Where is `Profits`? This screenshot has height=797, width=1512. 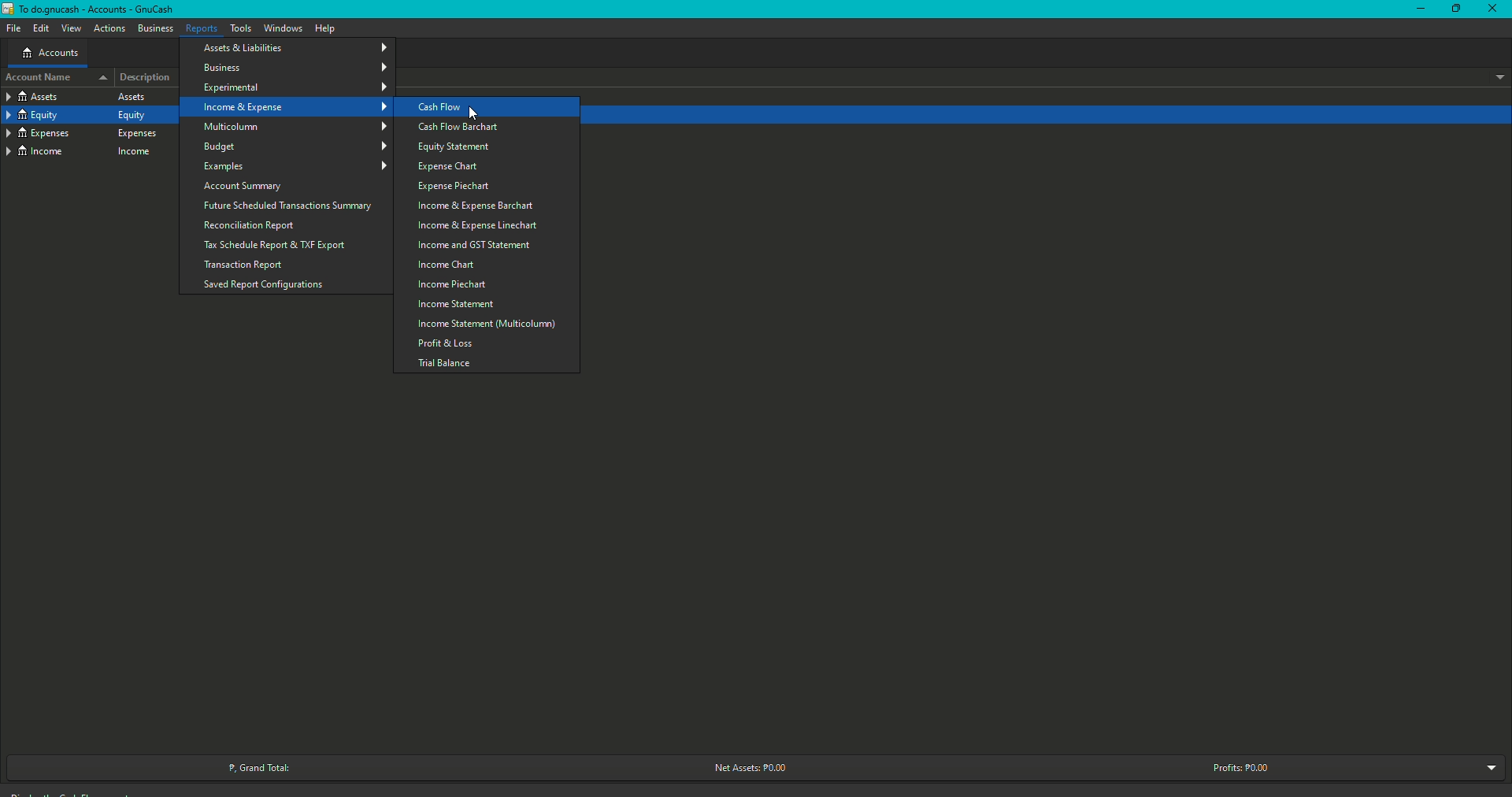 Profits is located at coordinates (1245, 768).